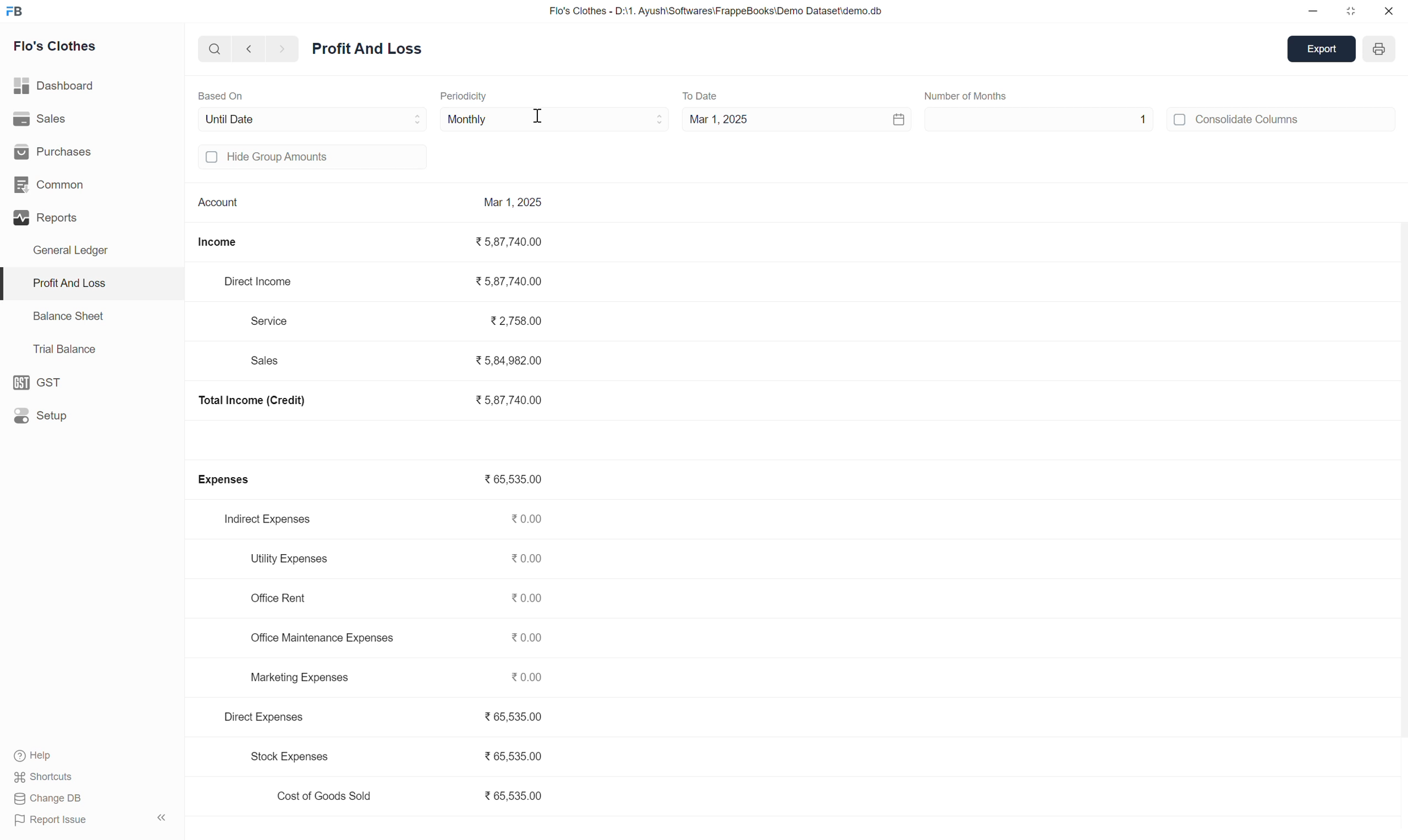 This screenshot has width=1408, height=840. Describe the element at coordinates (286, 758) in the screenshot. I see `Stock Expenses` at that location.